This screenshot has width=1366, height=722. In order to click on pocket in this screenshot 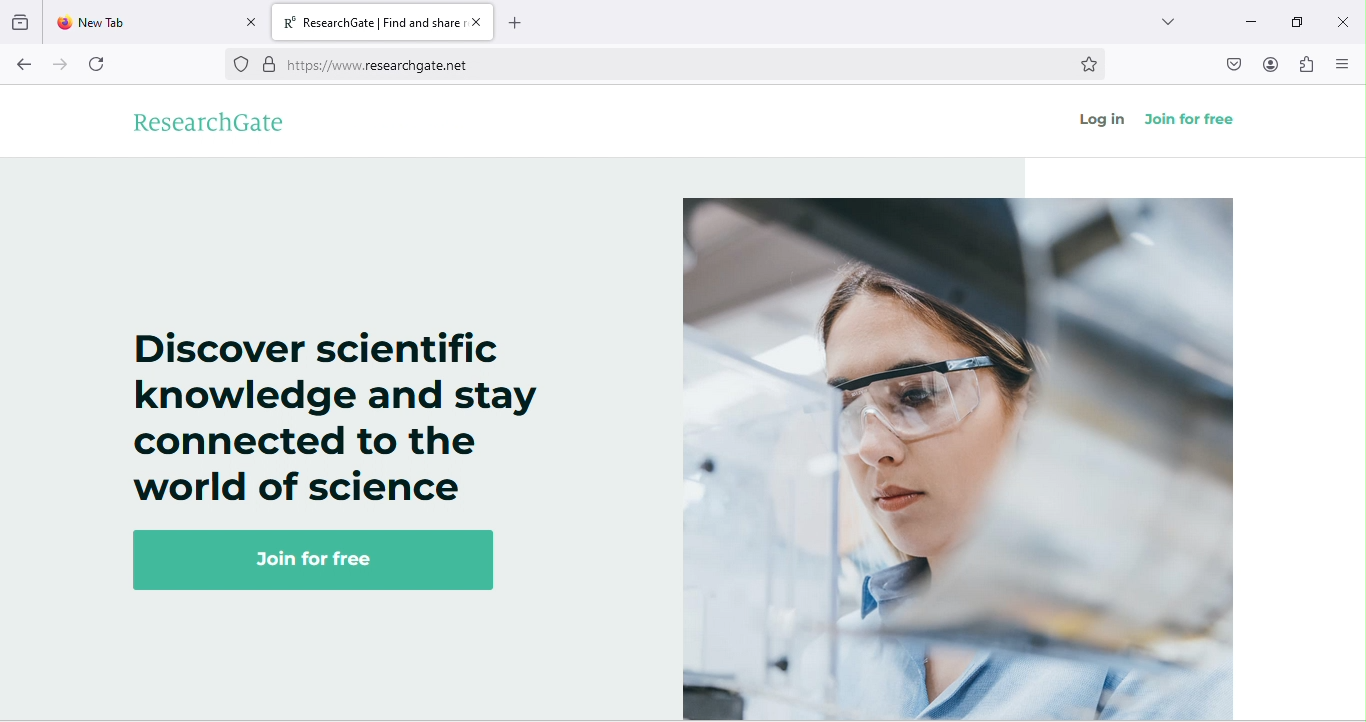, I will do `click(1232, 64)`.